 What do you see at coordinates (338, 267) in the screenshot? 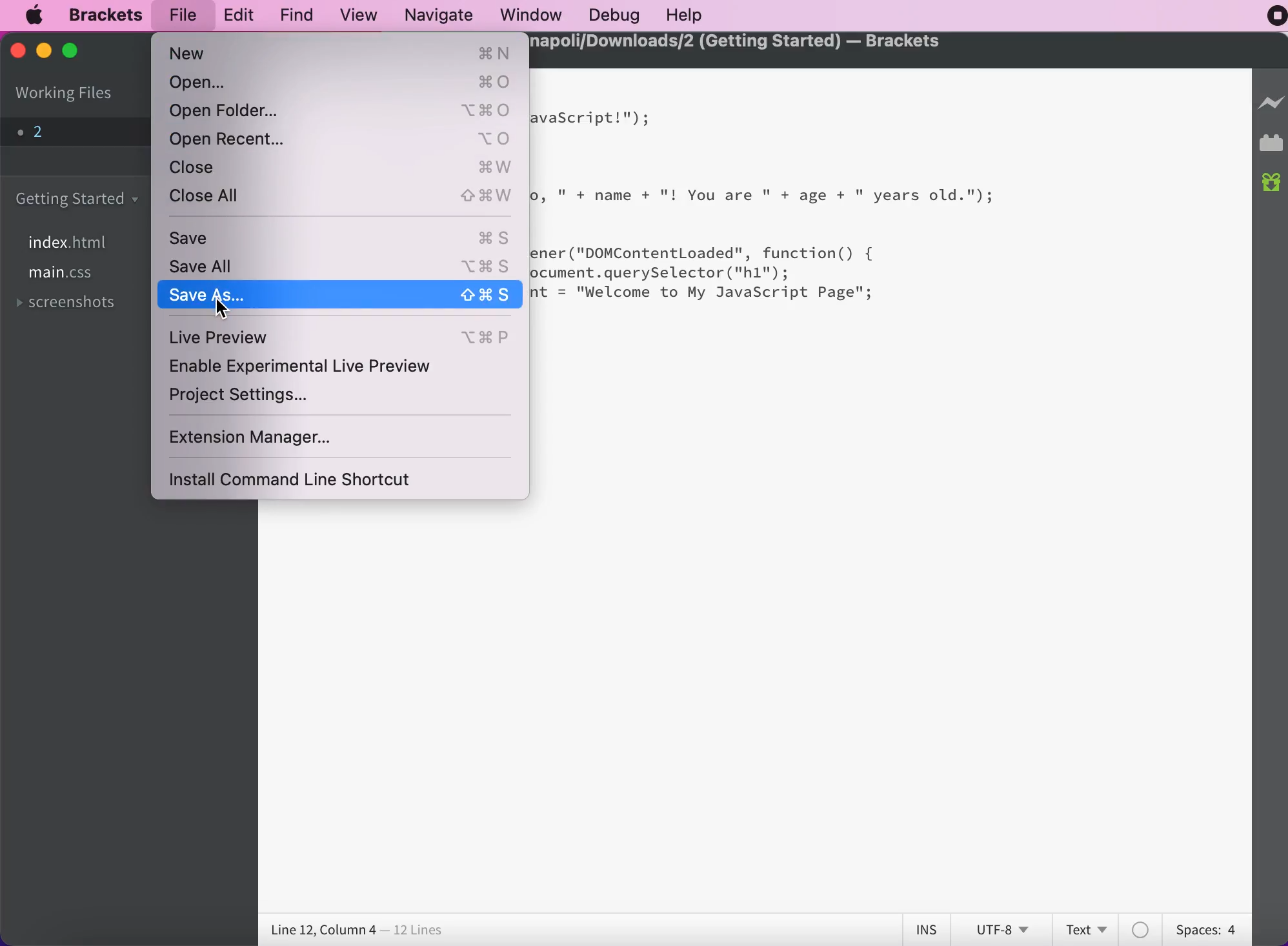
I see `save all` at bounding box center [338, 267].